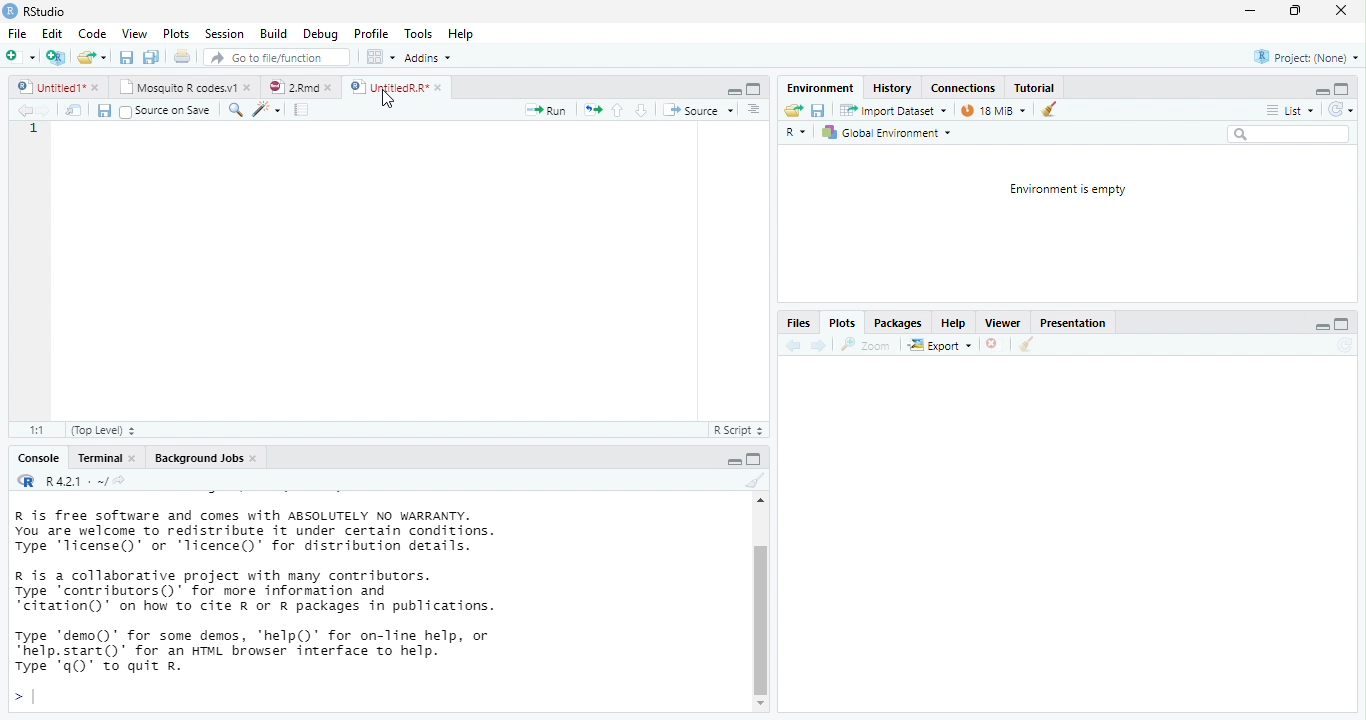  Describe the element at coordinates (1342, 88) in the screenshot. I see `maximize` at that location.